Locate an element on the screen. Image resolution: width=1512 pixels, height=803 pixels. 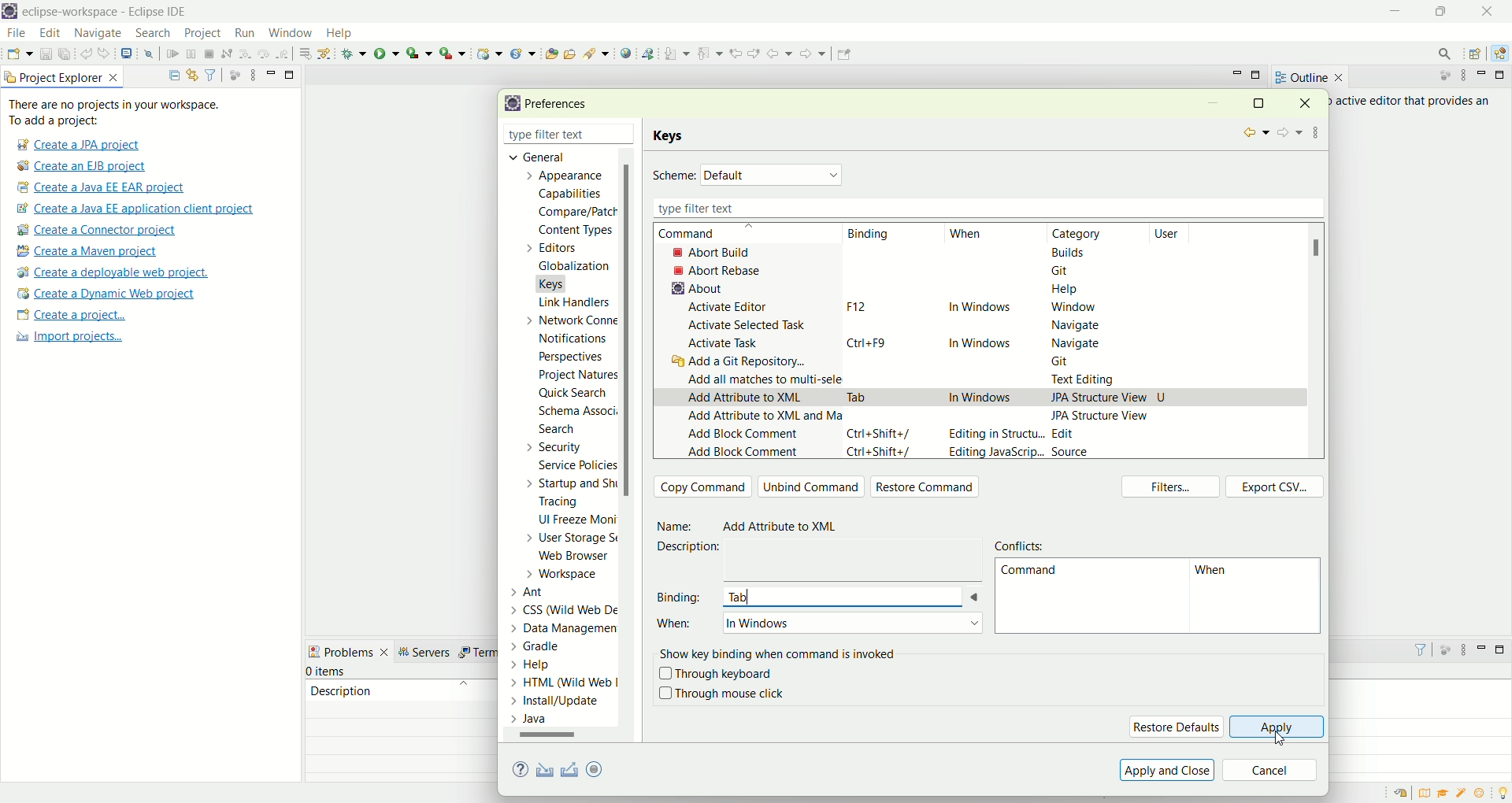
open task is located at coordinates (569, 52).